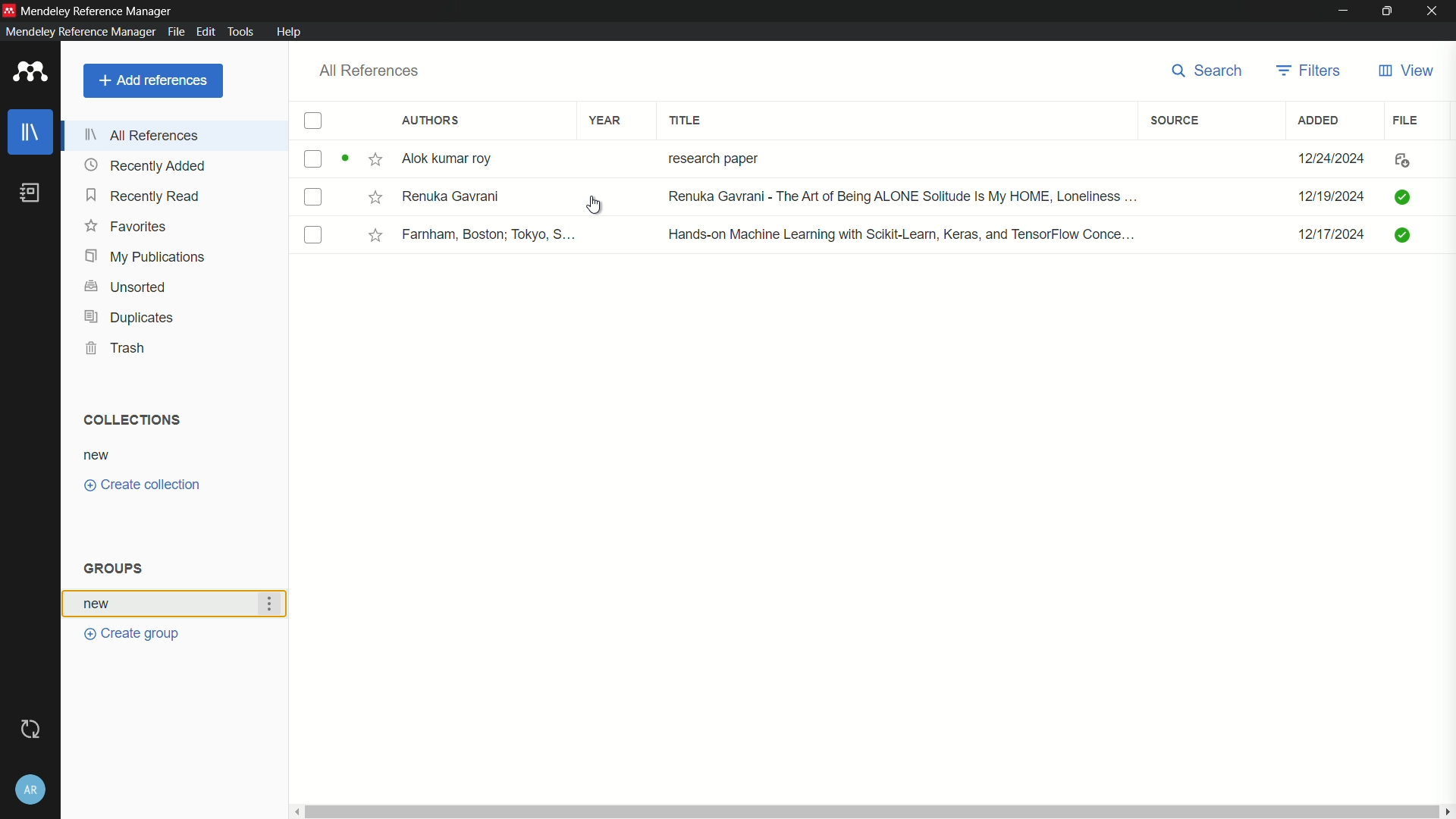 The height and width of the screenshot is (819, 1456). What do you see at coordinates (605, 120) in the screenshot?
I see `year` at bounding box center [605, 120].